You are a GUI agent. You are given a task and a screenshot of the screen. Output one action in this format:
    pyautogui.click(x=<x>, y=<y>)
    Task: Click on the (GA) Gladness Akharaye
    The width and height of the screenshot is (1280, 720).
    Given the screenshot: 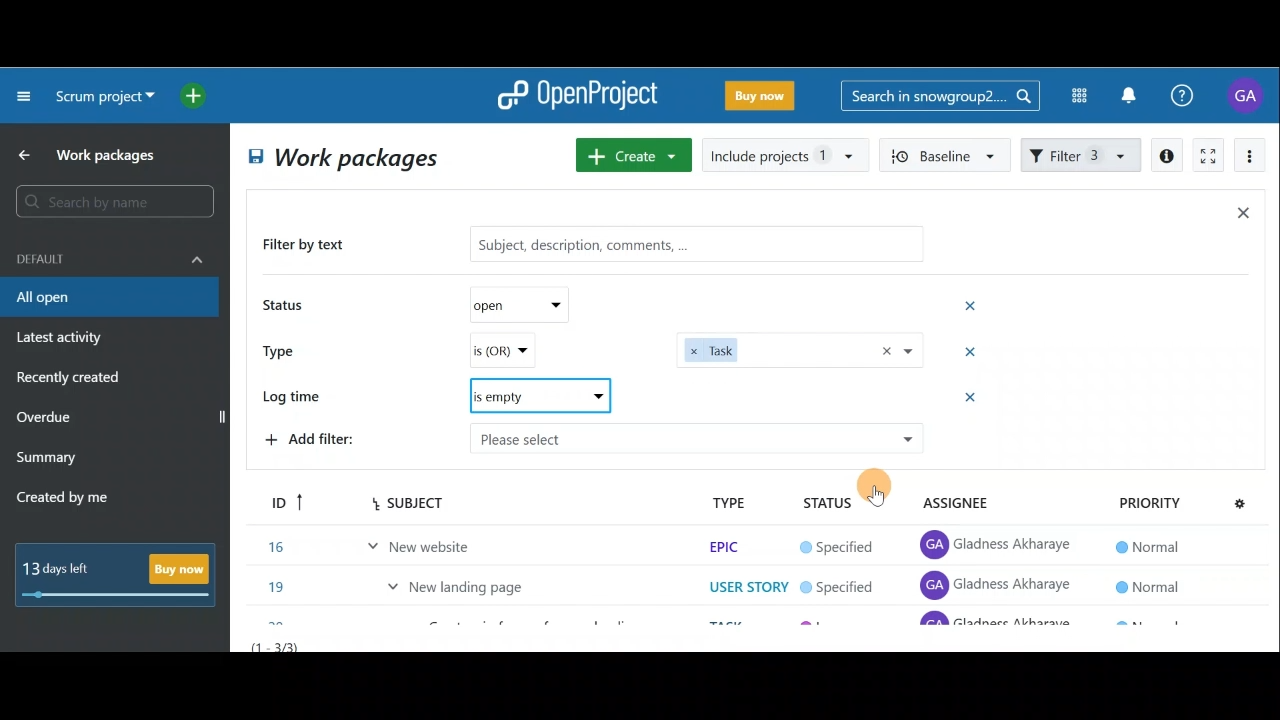 What is the action you would take?
    pyautogui.click(x=997, y=584)
    